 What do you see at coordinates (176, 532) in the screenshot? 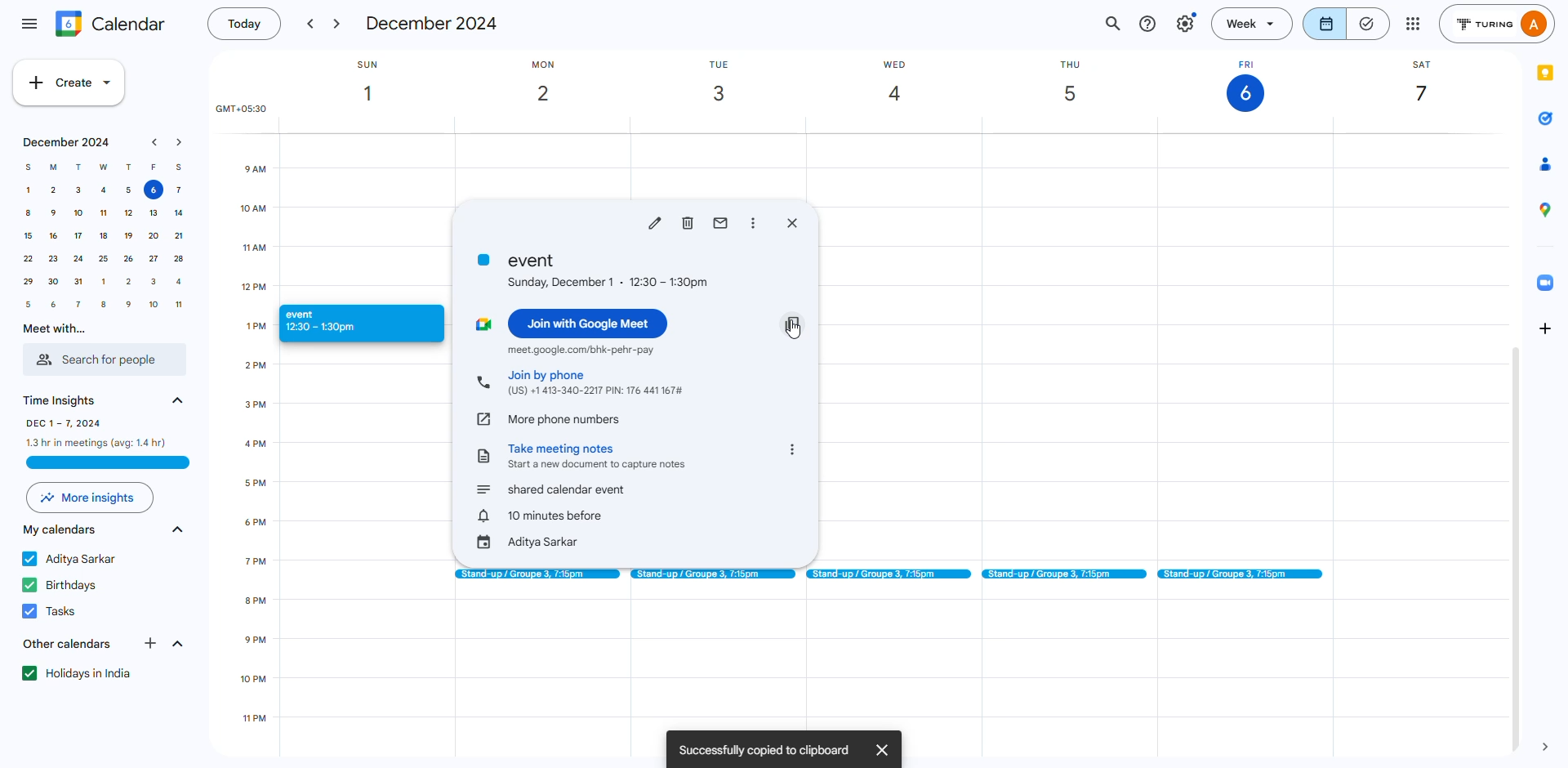
I see `collapse` at bounding box center [176, 532].